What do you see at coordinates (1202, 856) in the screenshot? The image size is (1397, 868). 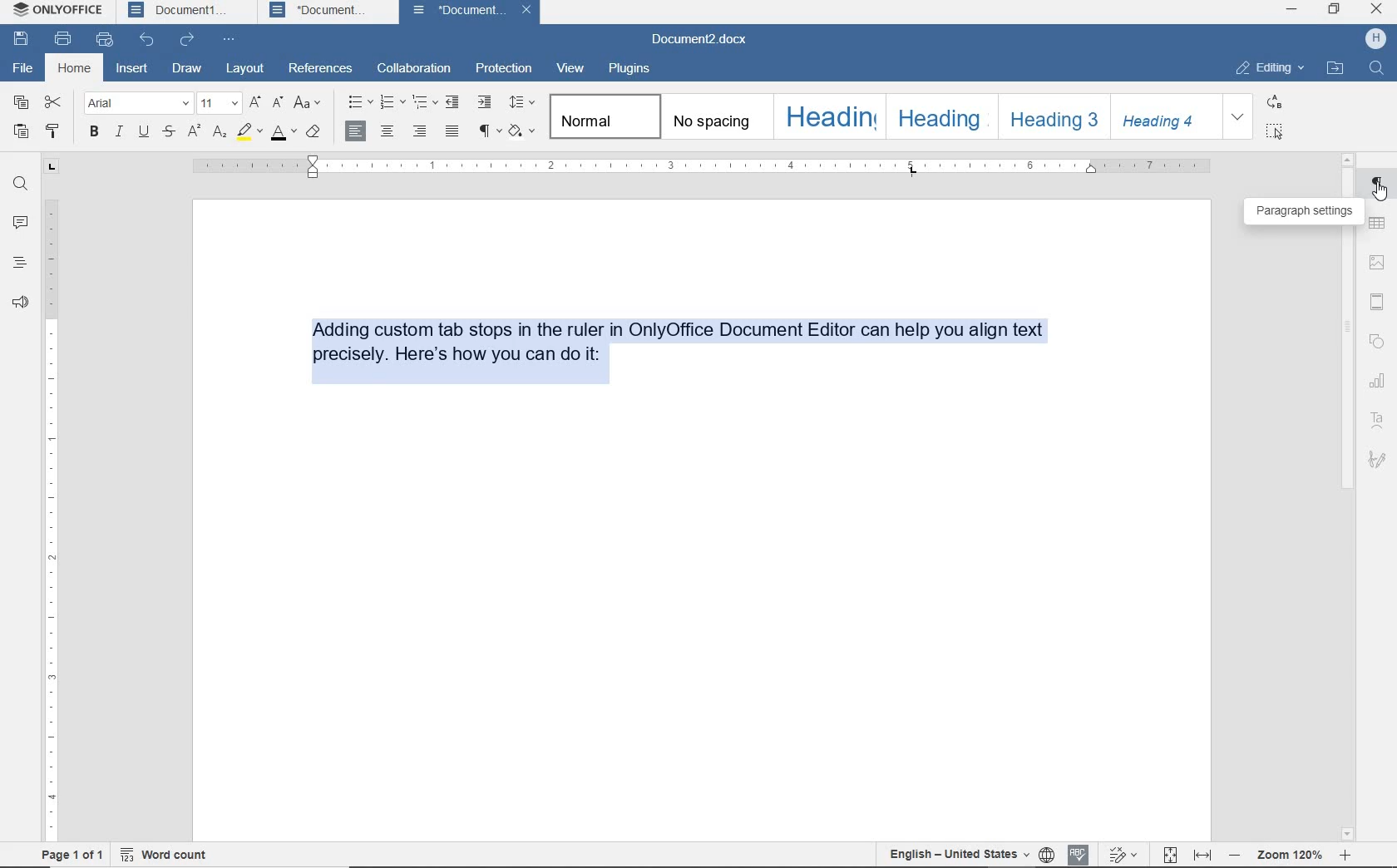 I see `fit to width` at bounding box center [1202, 856].